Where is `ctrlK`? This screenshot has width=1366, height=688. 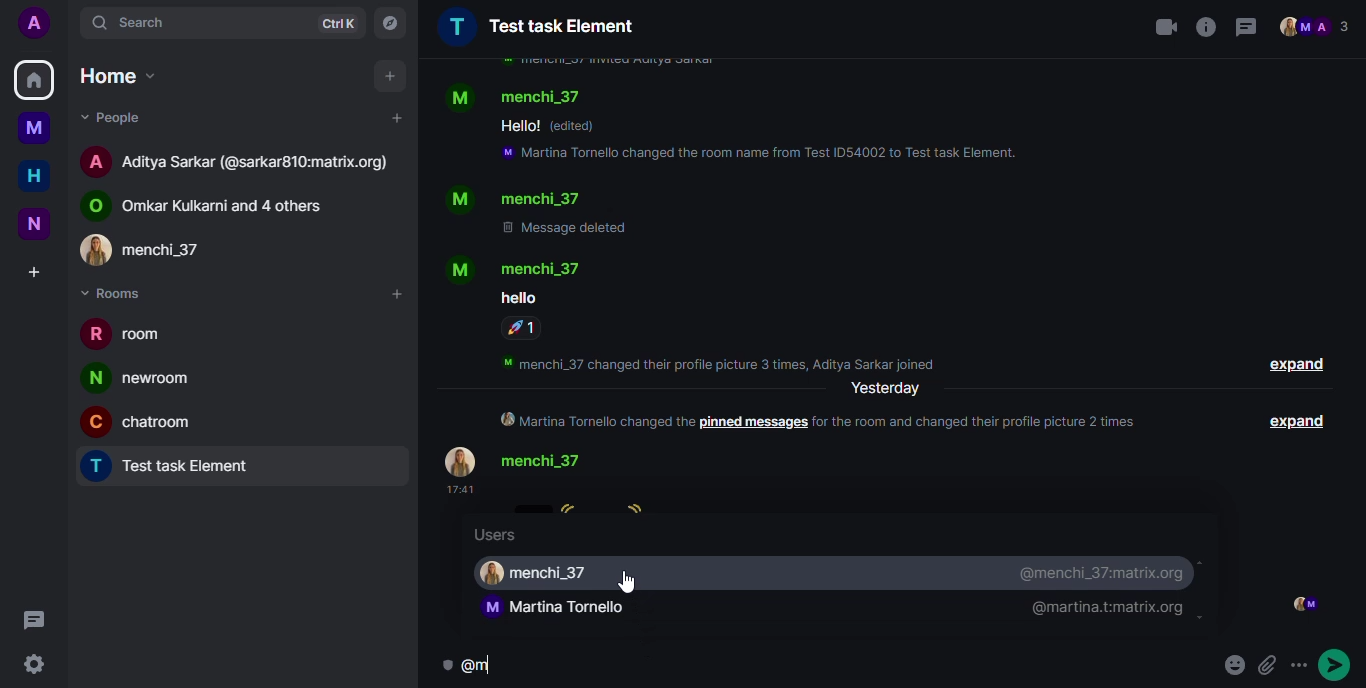
ctrlK is located at coordinates (333, 22).